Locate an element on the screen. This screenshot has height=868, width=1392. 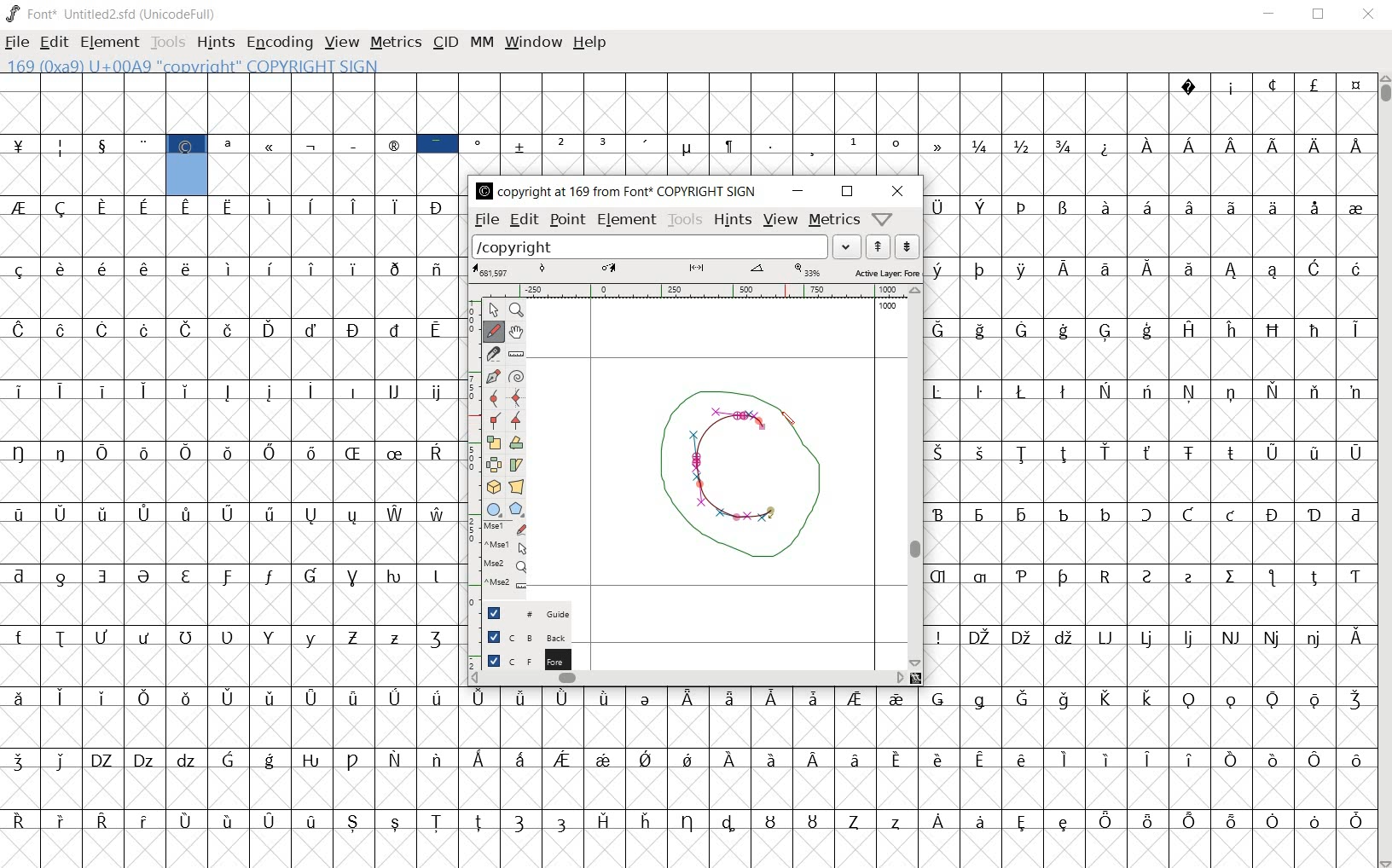
measure a distance, angle between points is located at coordinates (516, 355).